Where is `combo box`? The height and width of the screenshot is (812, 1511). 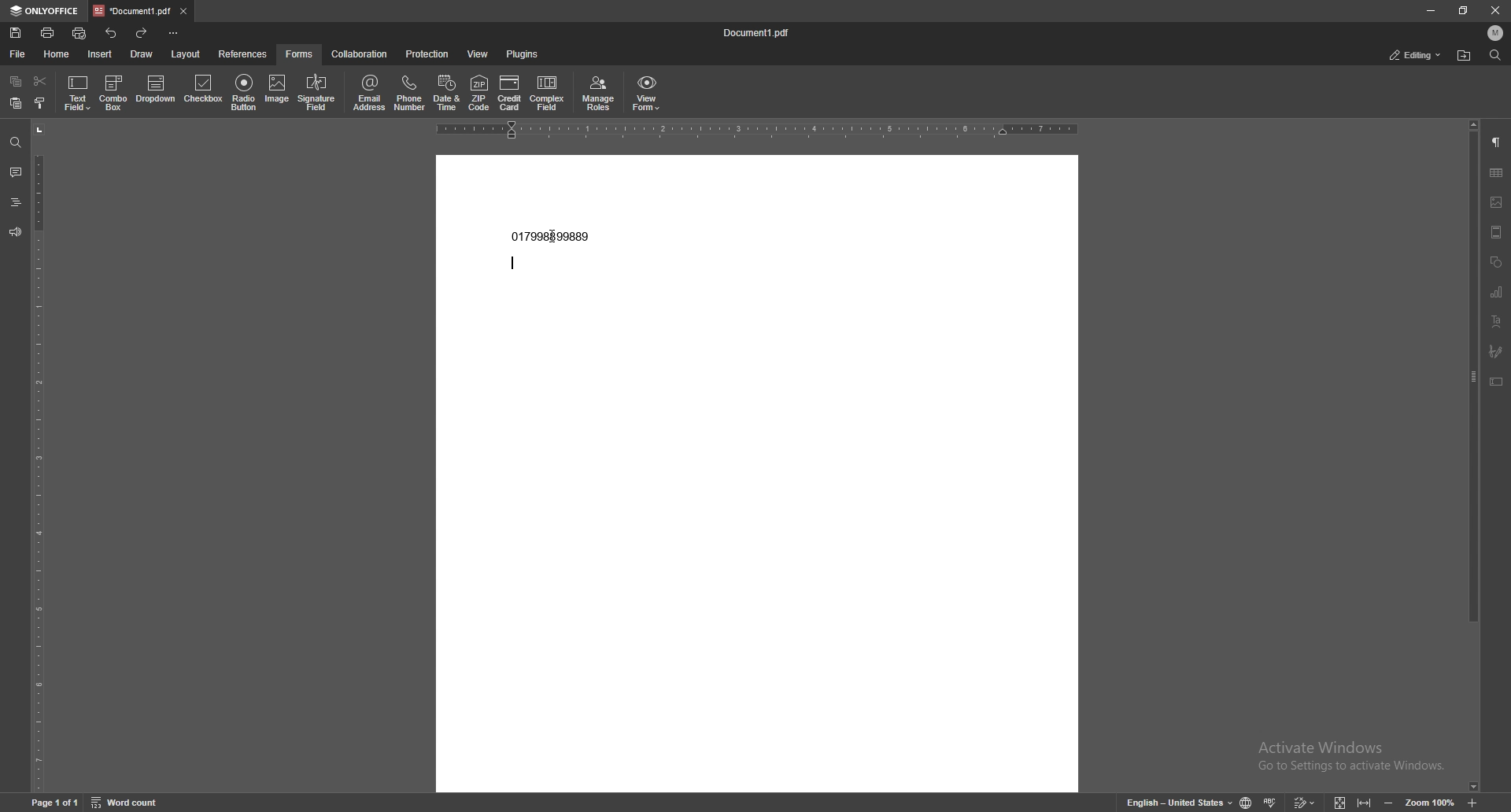
combo box is located at coordinates (114, 91).